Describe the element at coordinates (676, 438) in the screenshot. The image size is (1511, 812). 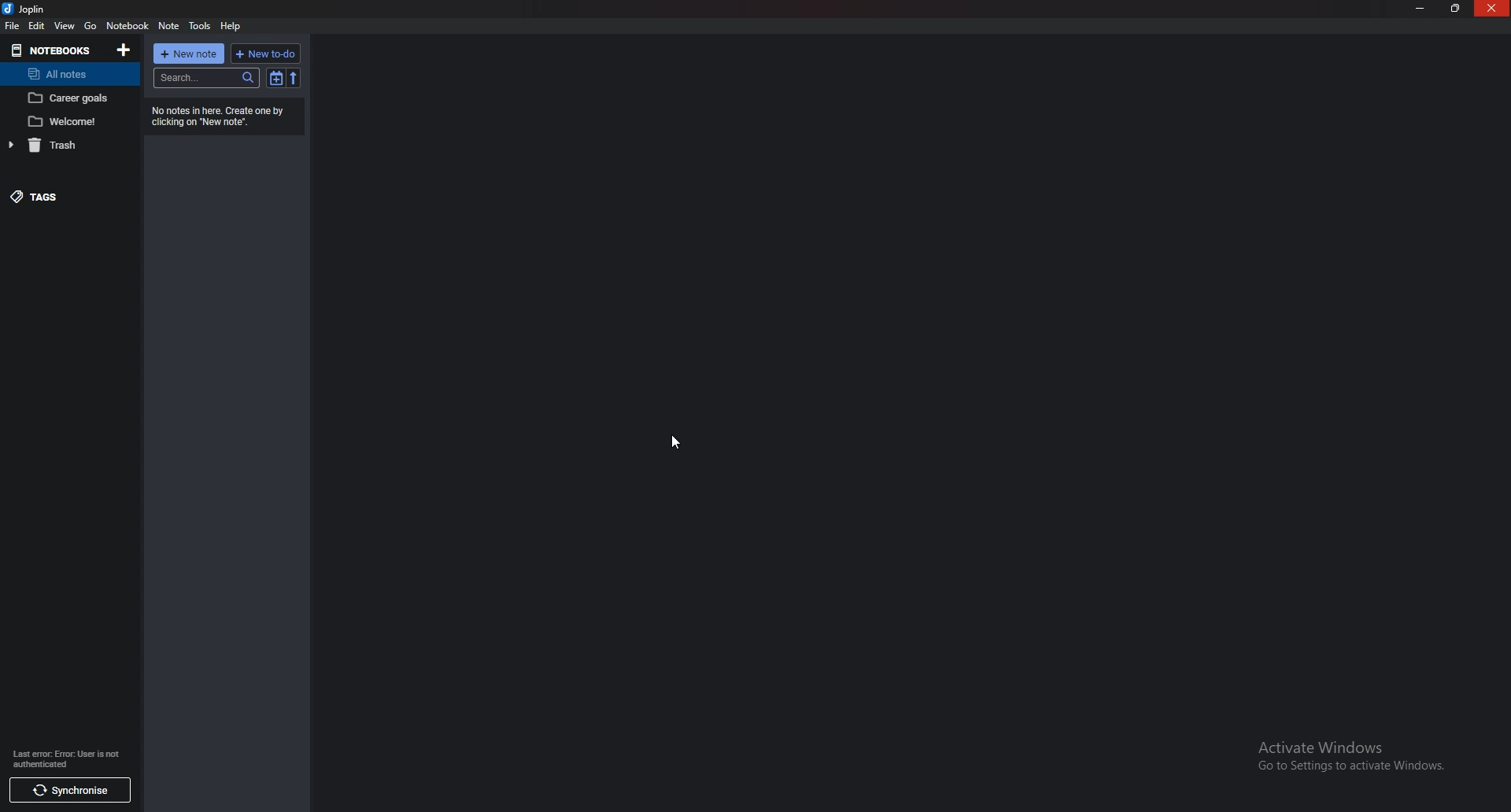
I see `cursor` at that location.